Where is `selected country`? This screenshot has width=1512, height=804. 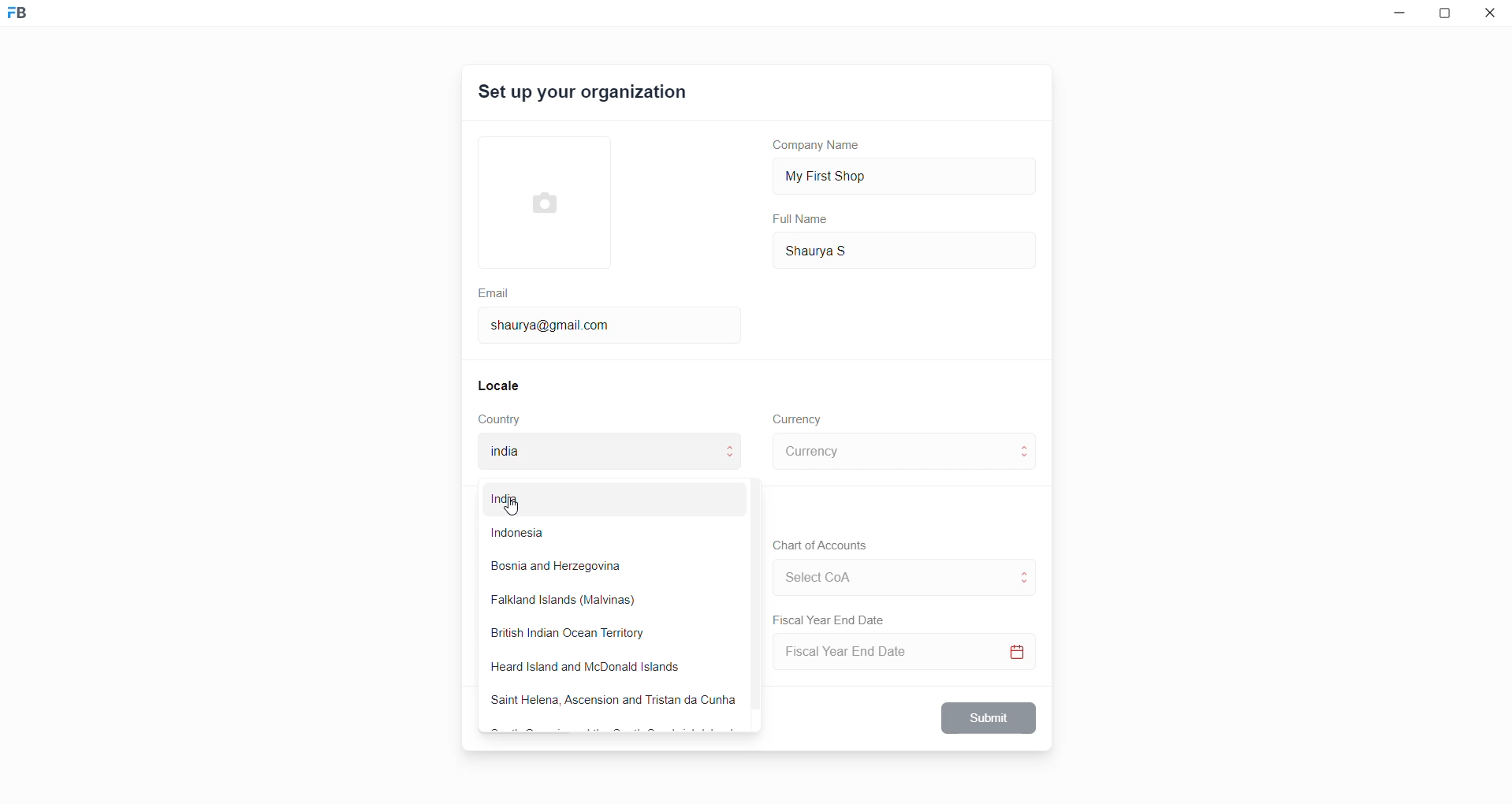
selected country is located at coordinates (598, 454).